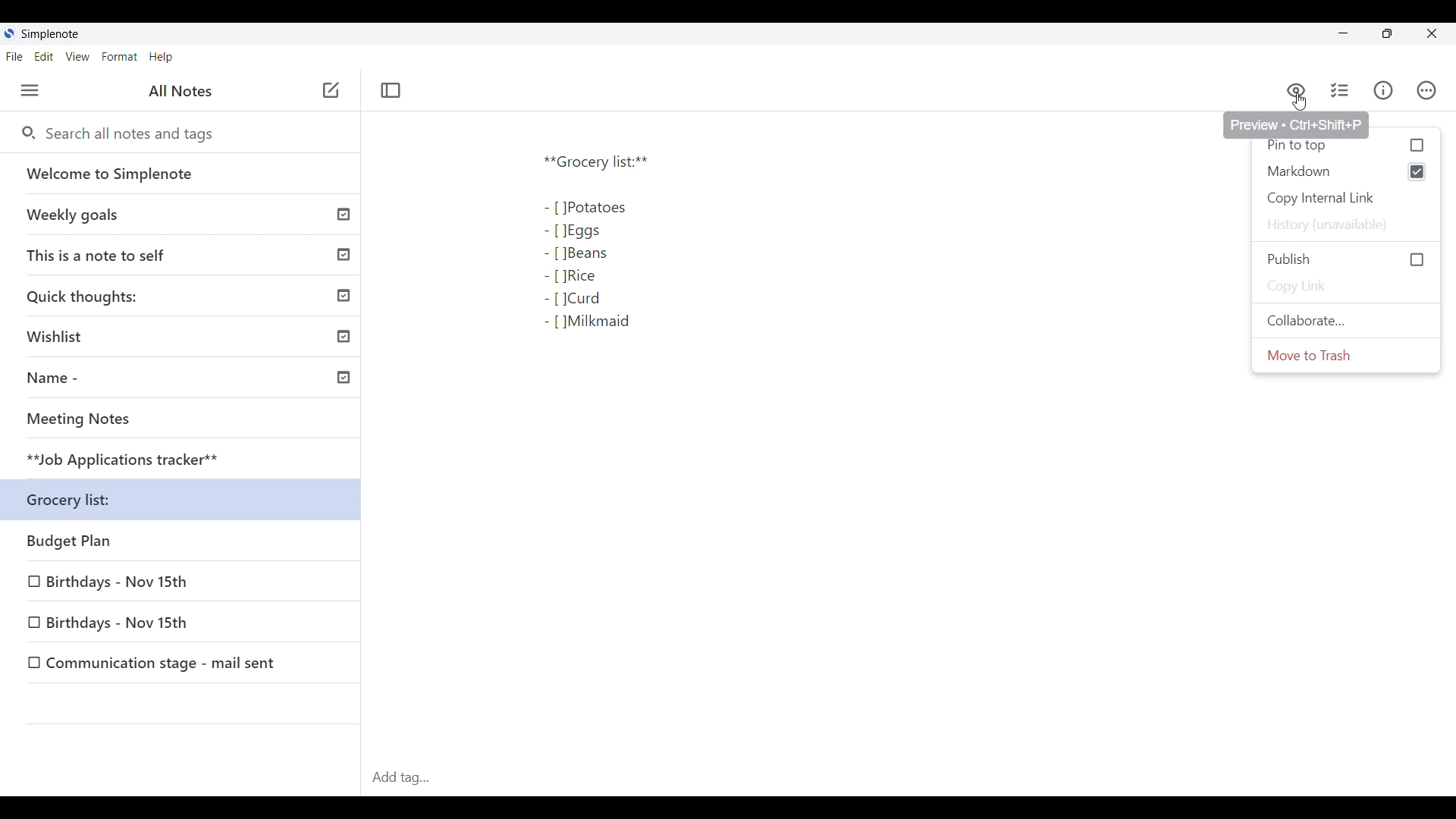 This screenshot has width=1456, height=819. What do you see at coordinates (1346, 320) in the screenshot?
I see `Collaborate` at bounding box center [1346, 320].